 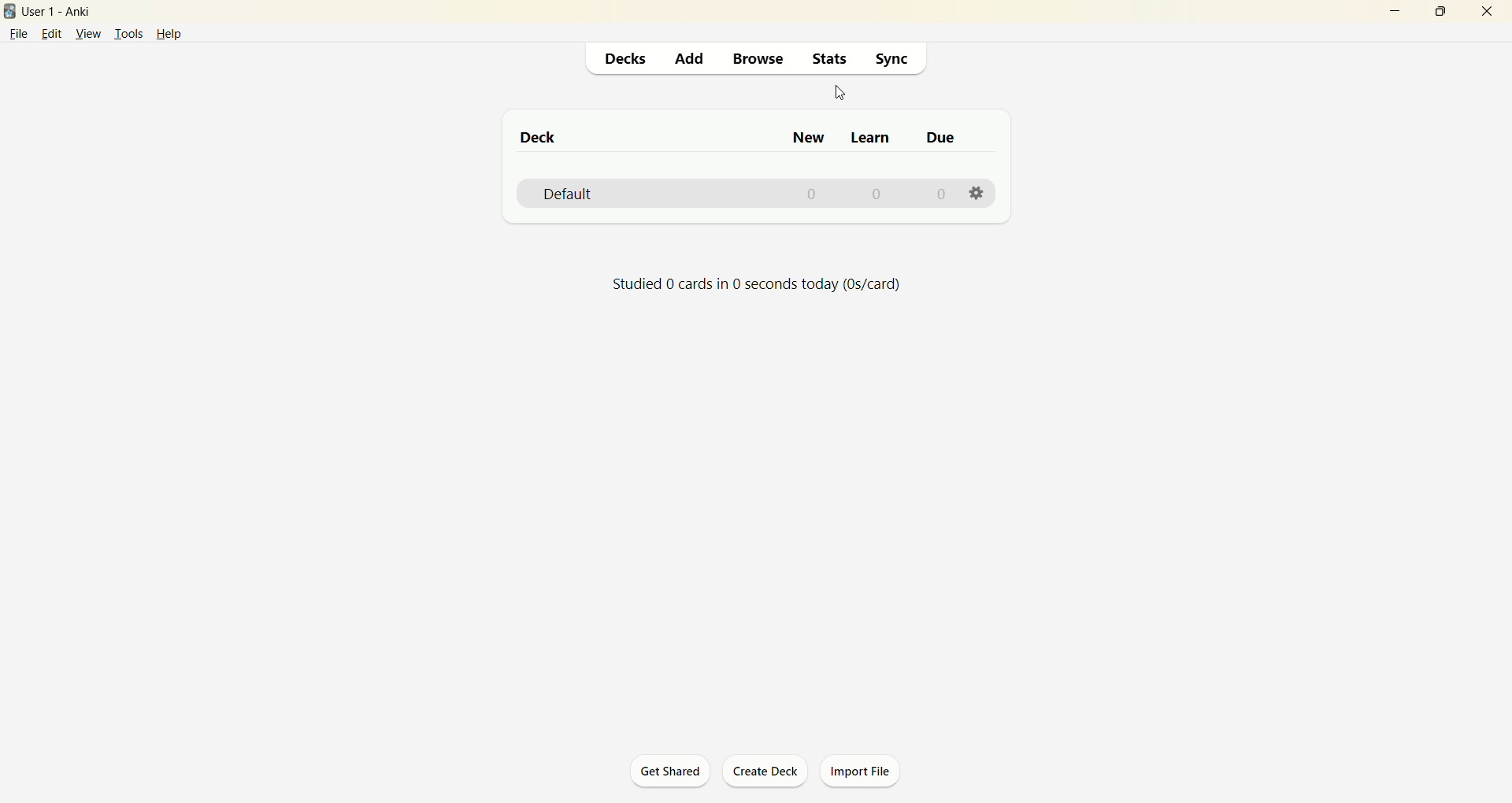 What do you see at coordinates (977, 191) in the screenshot?
I see `Options` at bounding box center [977, 191].